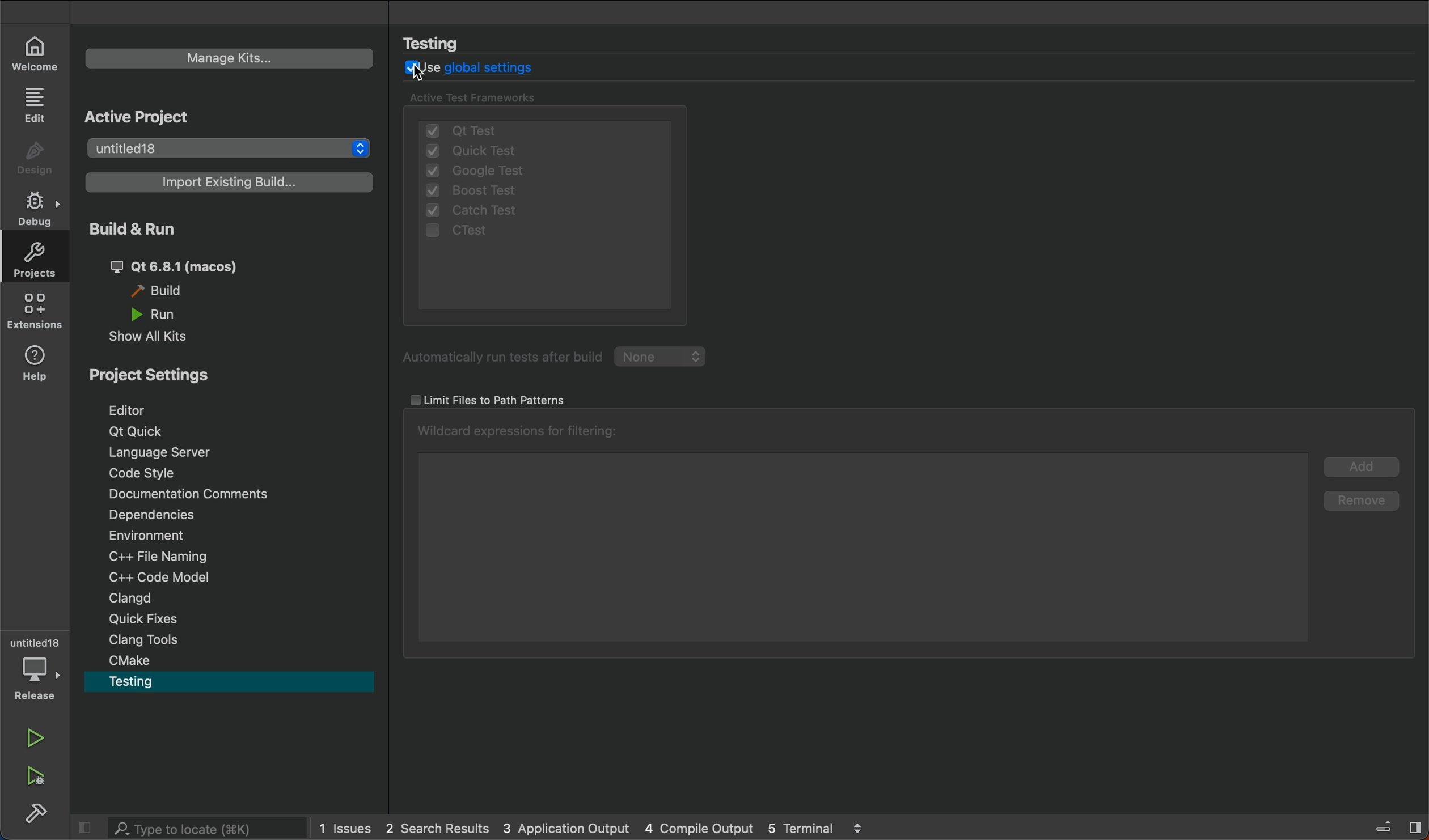 Image resolution: width=1429 pixels, height=840 pixels. Describe the element at coordinates (229, 685) in the screenshot. I see `testing` at that location.